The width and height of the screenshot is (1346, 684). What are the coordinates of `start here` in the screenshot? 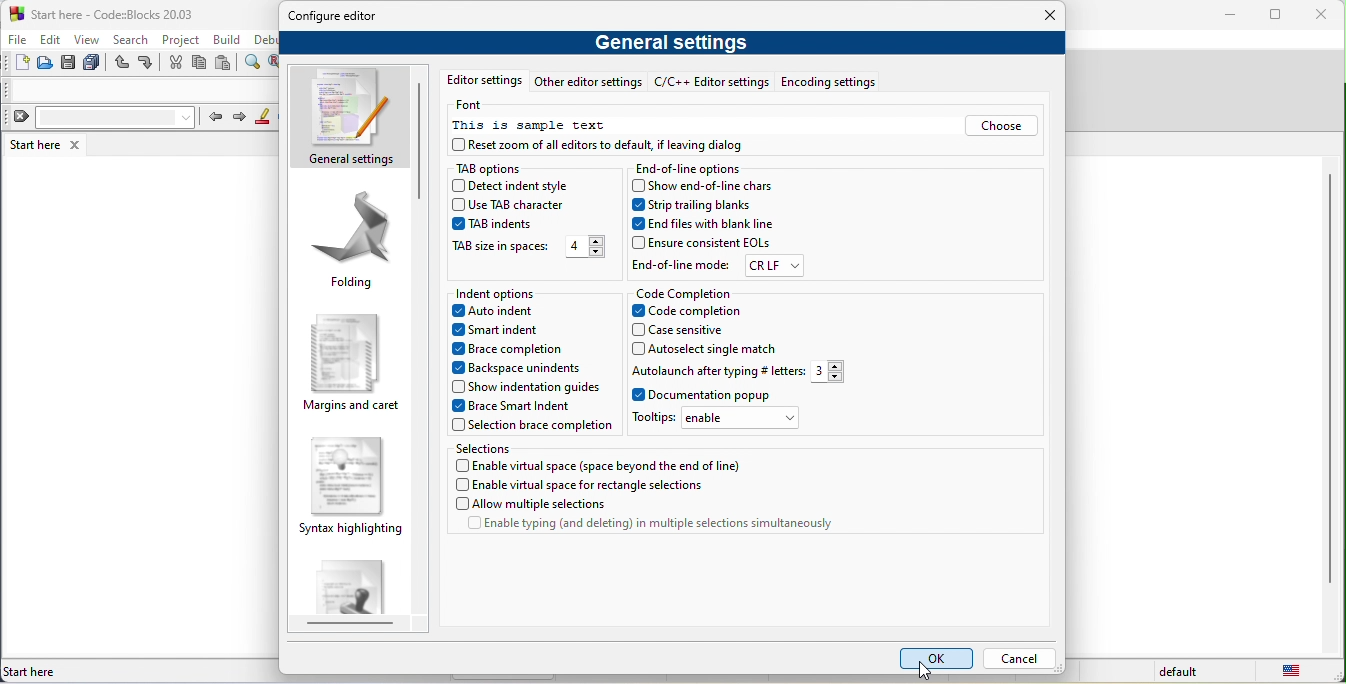 It's located at (34, 669).